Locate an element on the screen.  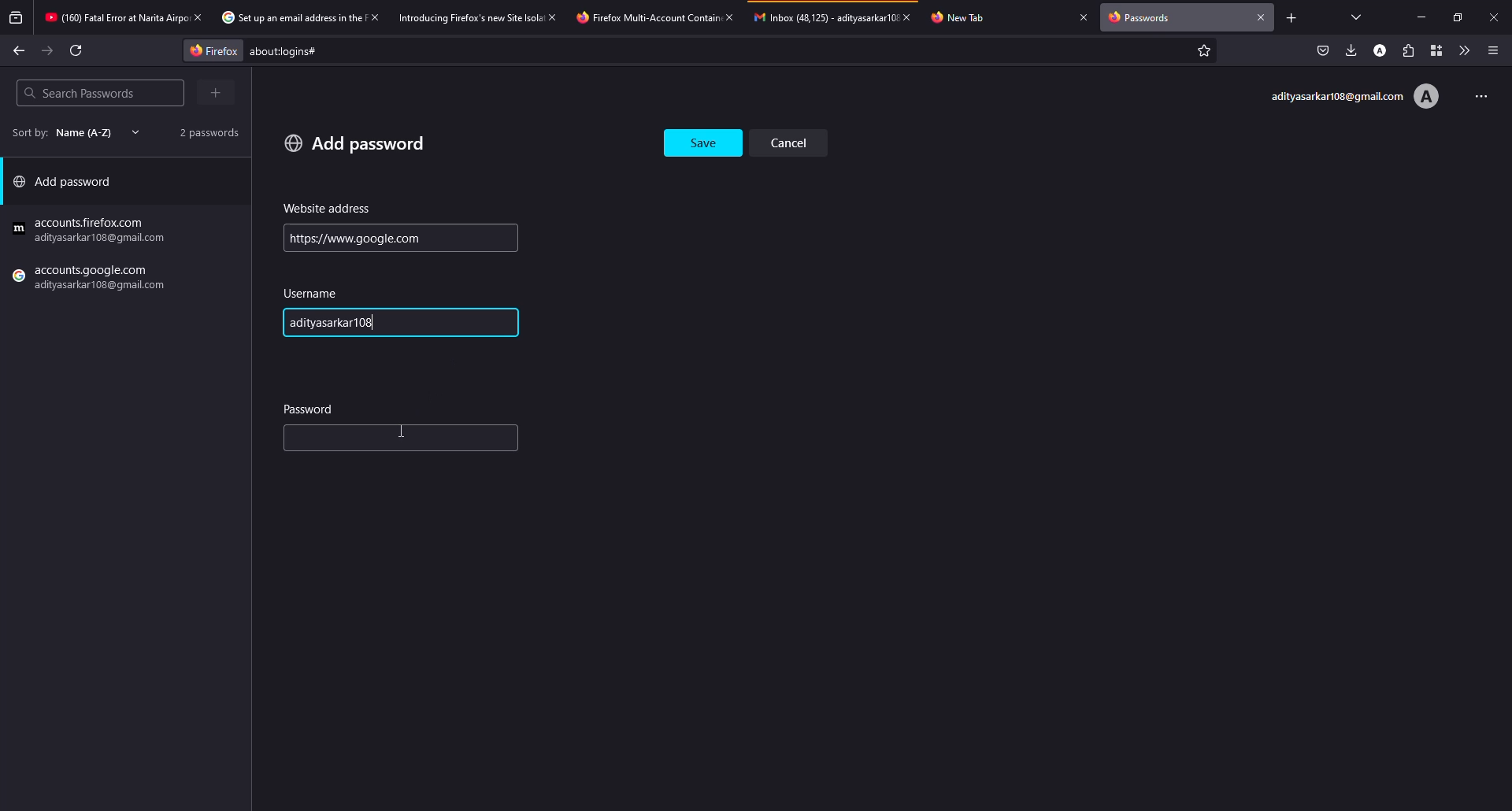
tab is located at coordinates (824, 17).